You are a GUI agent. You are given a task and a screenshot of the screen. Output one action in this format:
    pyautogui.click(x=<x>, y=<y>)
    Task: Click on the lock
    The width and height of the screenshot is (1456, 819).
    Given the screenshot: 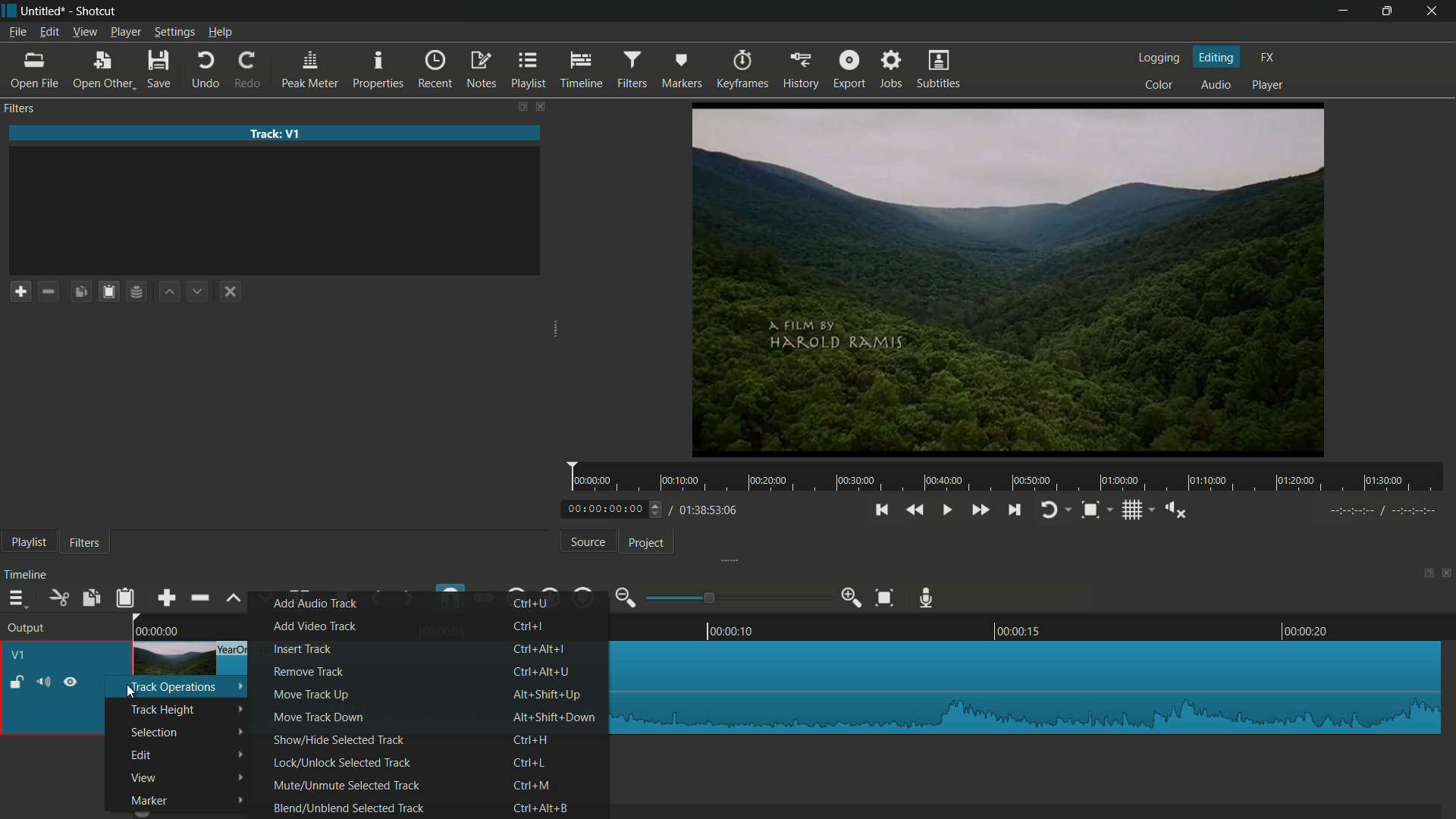 What is the action you would take?
    pyautogui.click(x=17, y=681)
    